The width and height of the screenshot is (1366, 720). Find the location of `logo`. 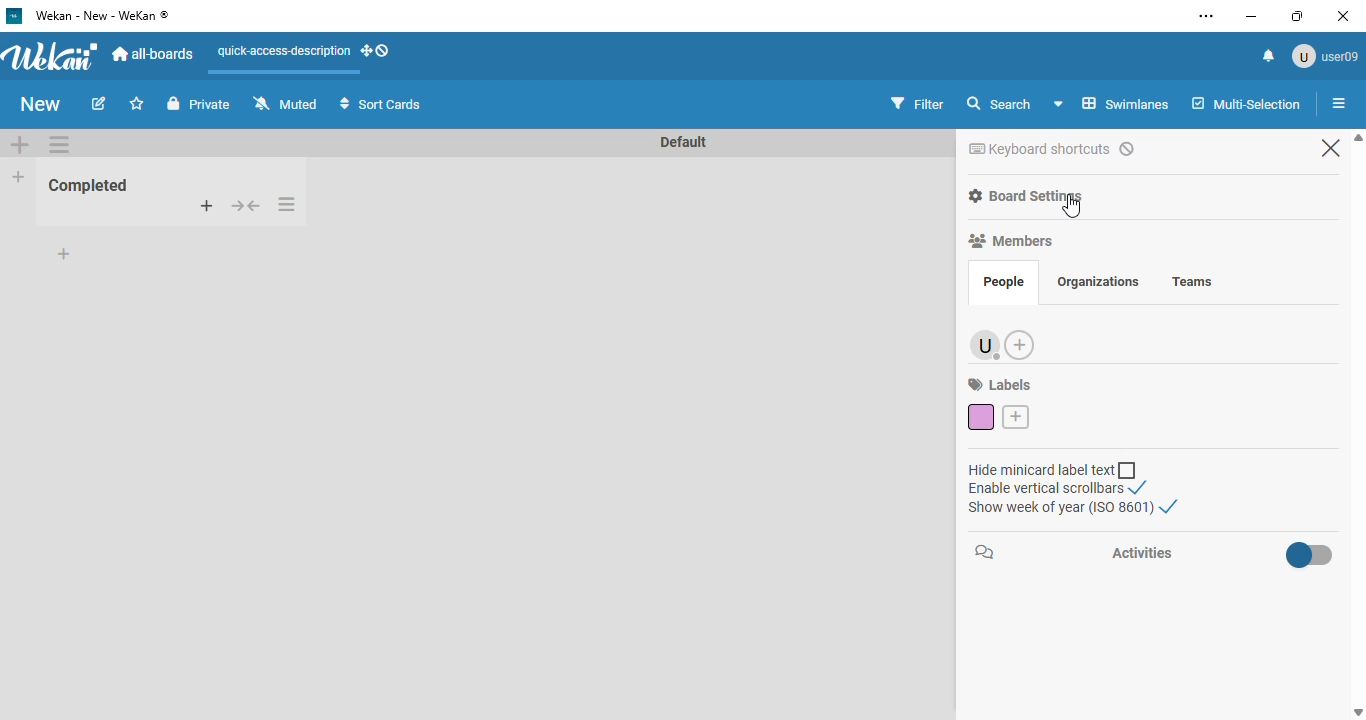

logo is located at coordinates (14, 16).